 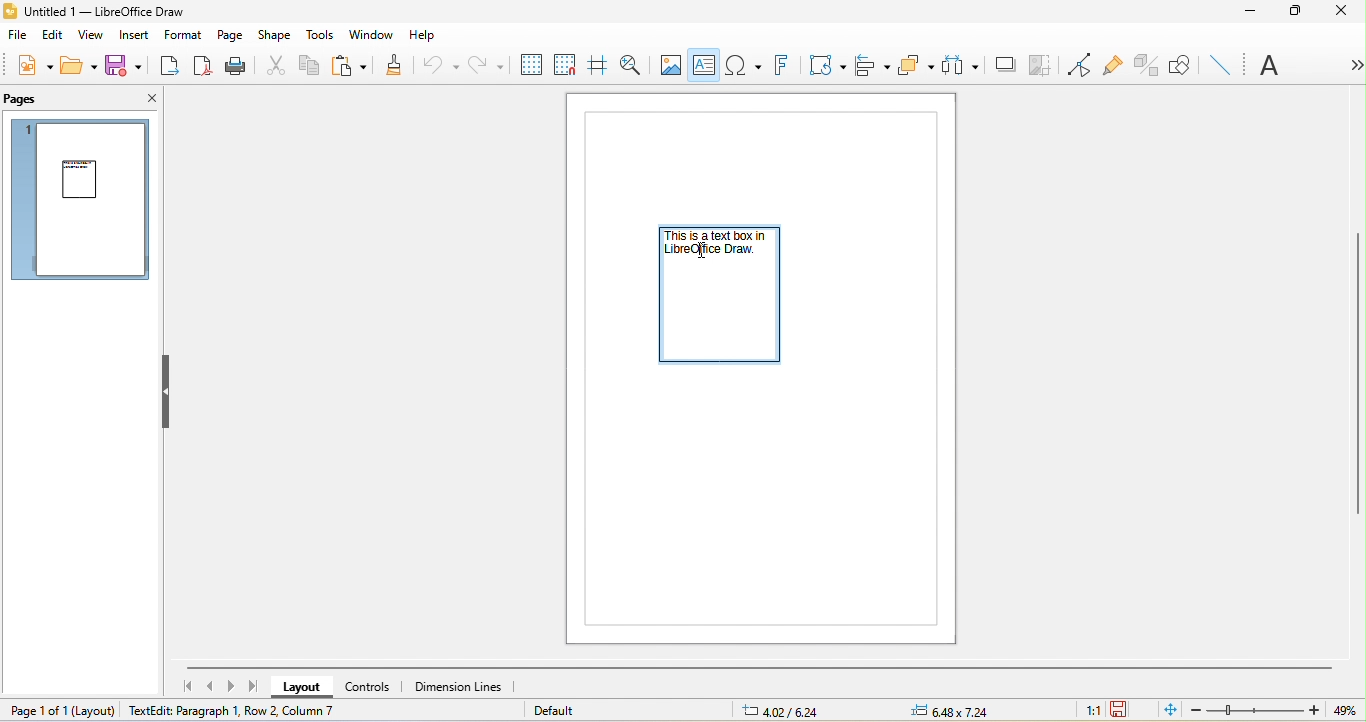 I want to click on page 1 of 1, so click(x=60, y=712).